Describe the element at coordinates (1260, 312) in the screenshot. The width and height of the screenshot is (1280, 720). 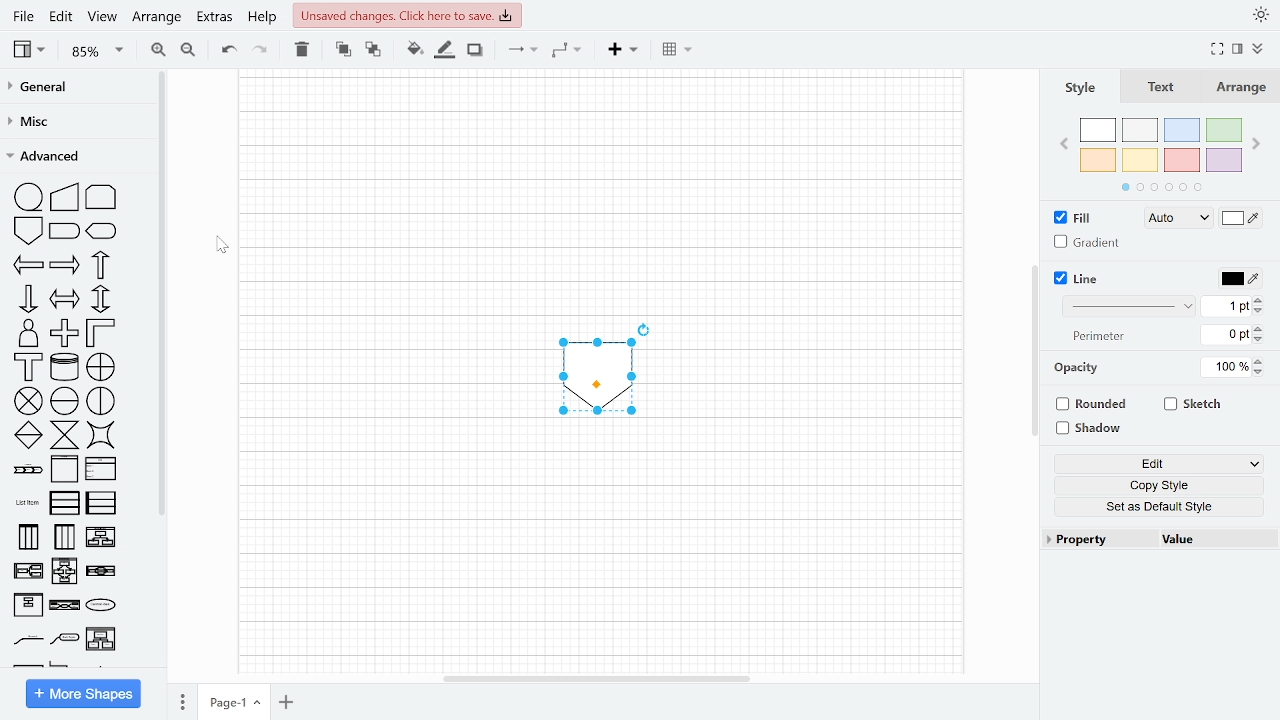
I see `Decrease line width` at that location.